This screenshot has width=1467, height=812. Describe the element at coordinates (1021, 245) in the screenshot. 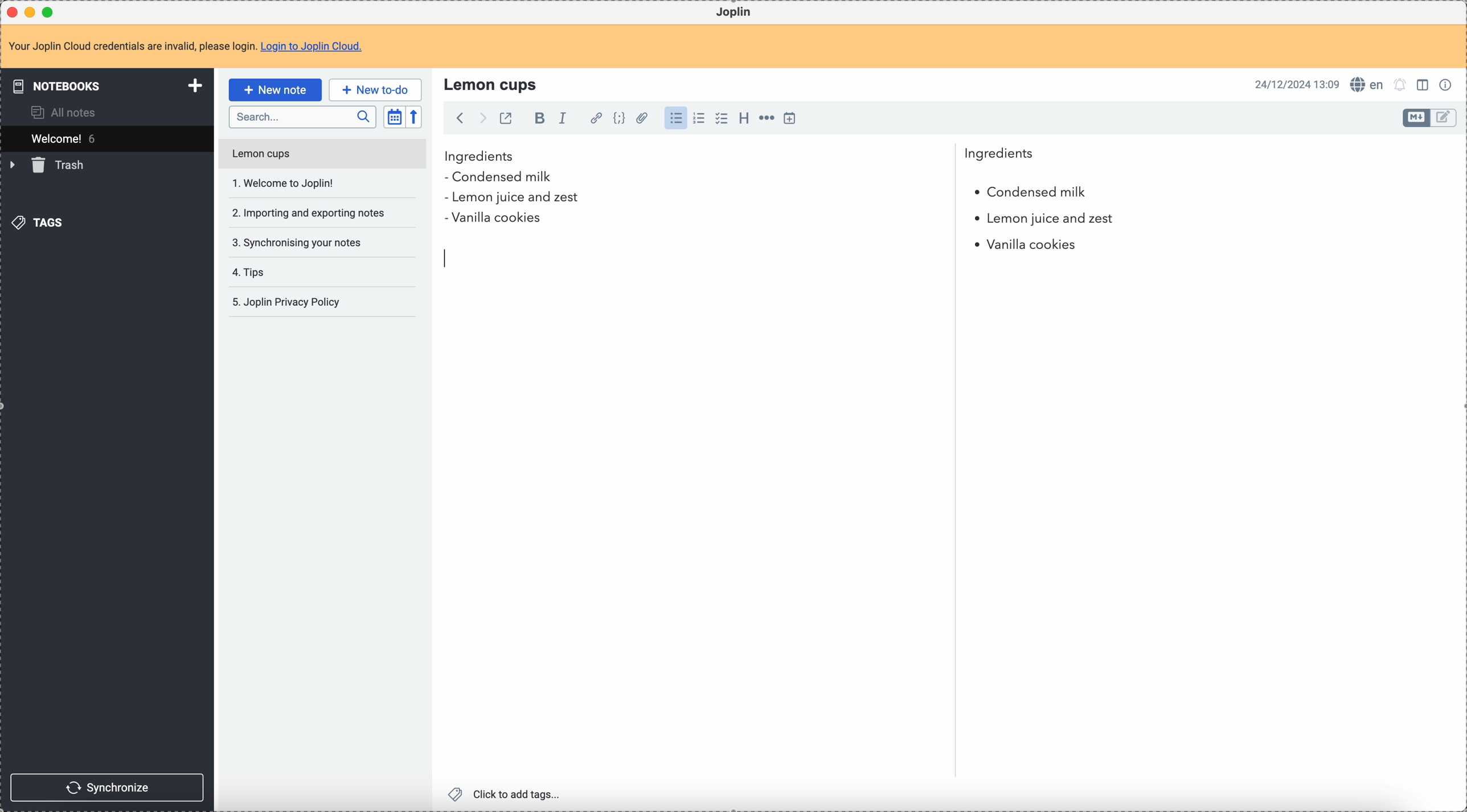

I see `vanilla cookies` at that location.